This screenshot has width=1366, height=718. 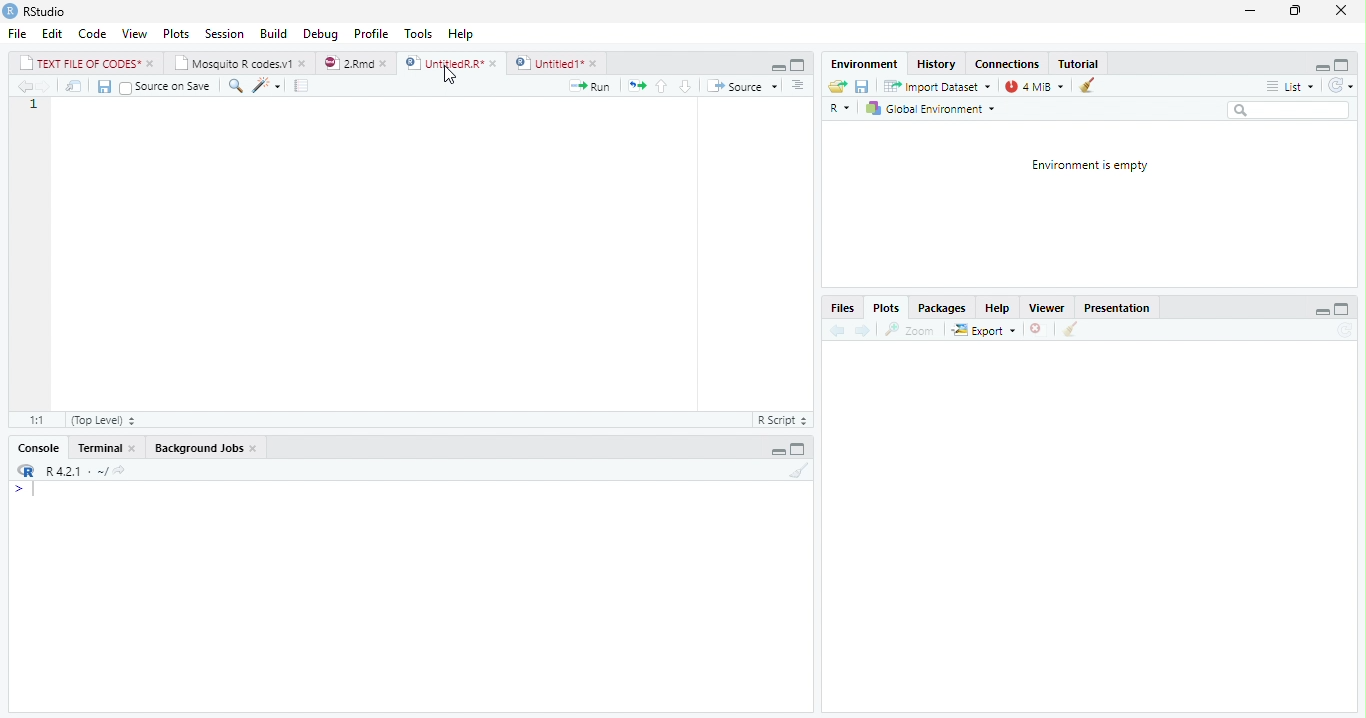 I want to click on cursor, so click(x=449, y=75).